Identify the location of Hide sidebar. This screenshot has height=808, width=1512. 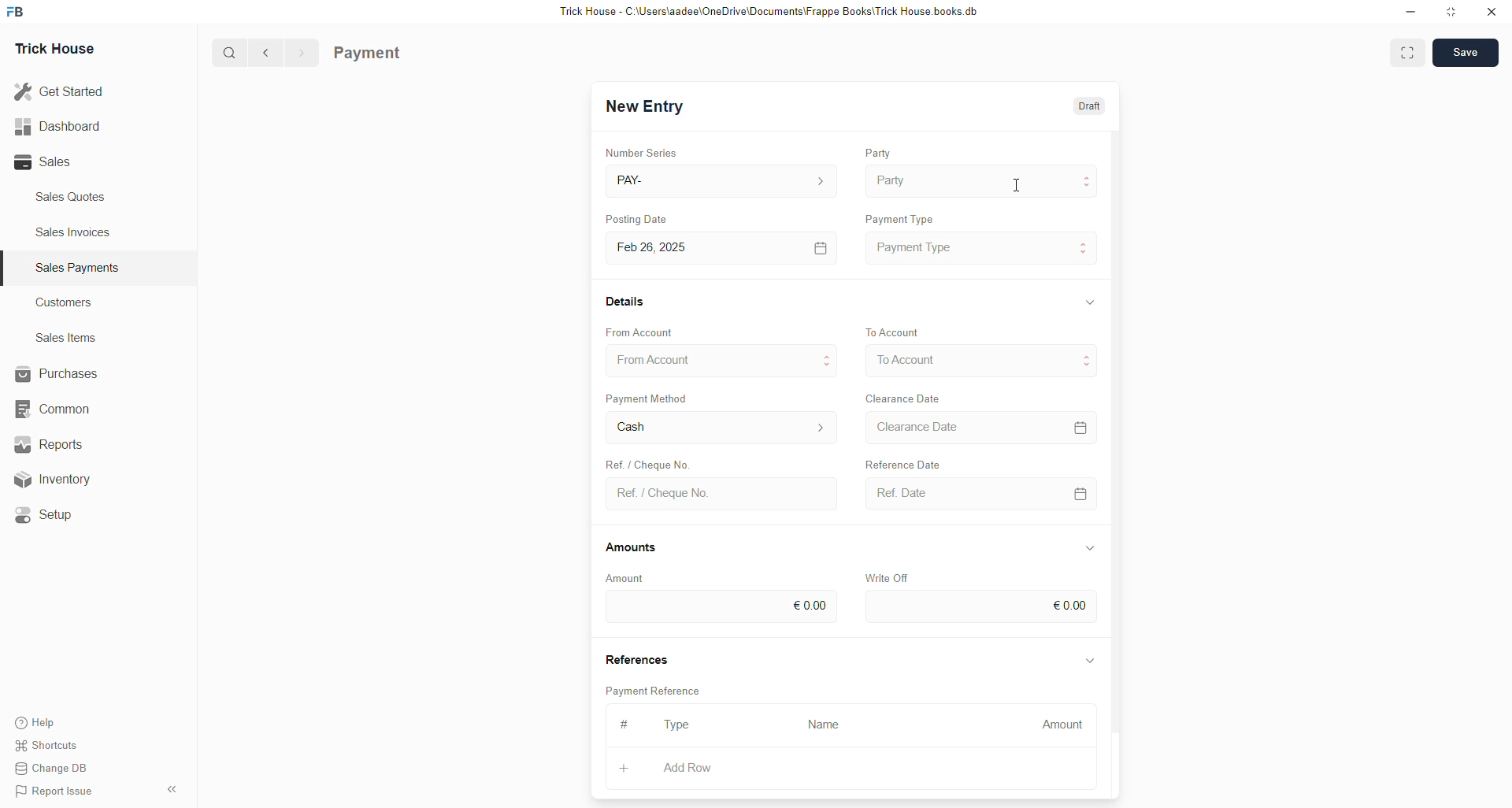
(172, 789).